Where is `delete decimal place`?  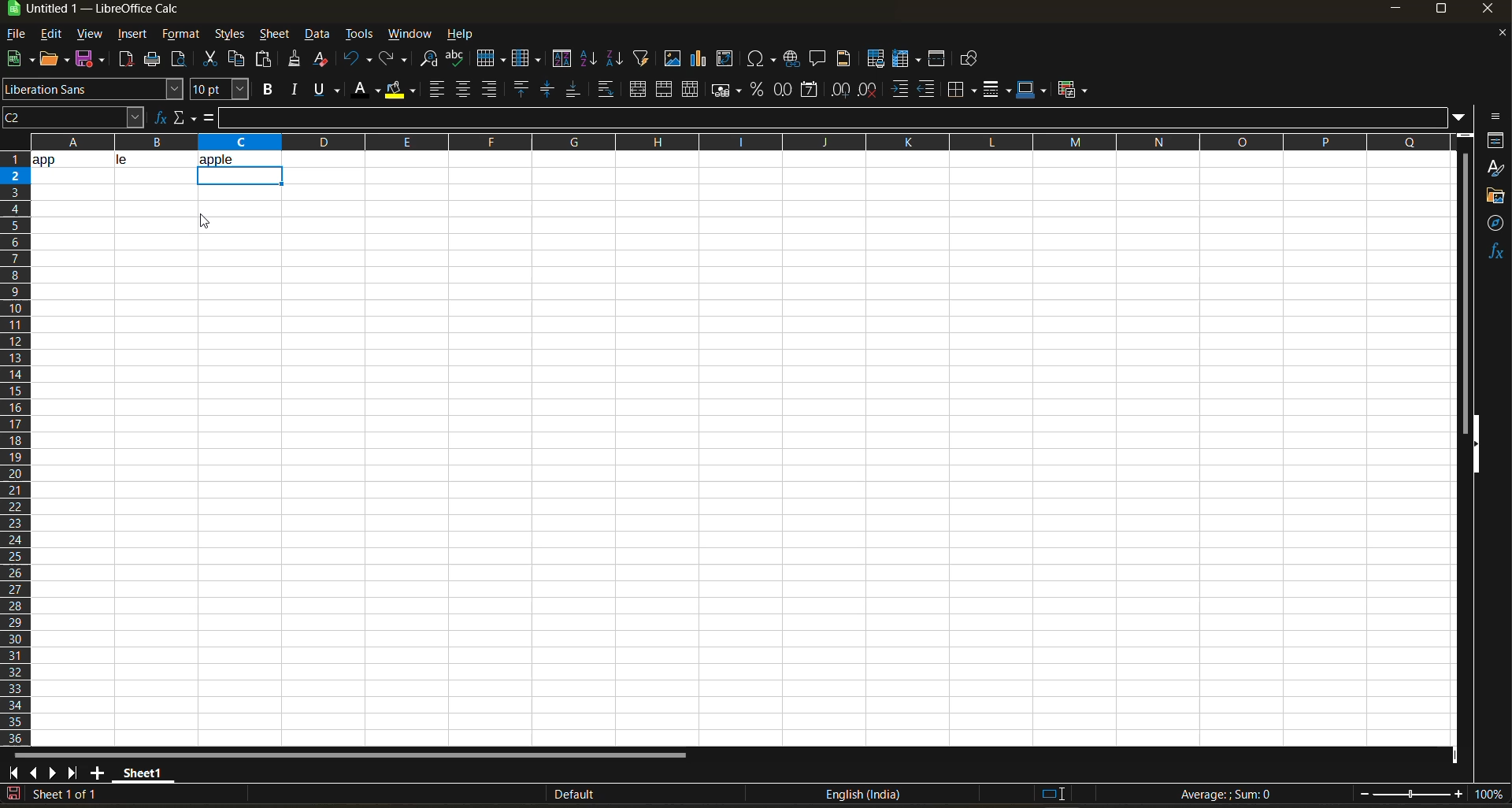
delete decimal place is located at coordinates (869, 90).